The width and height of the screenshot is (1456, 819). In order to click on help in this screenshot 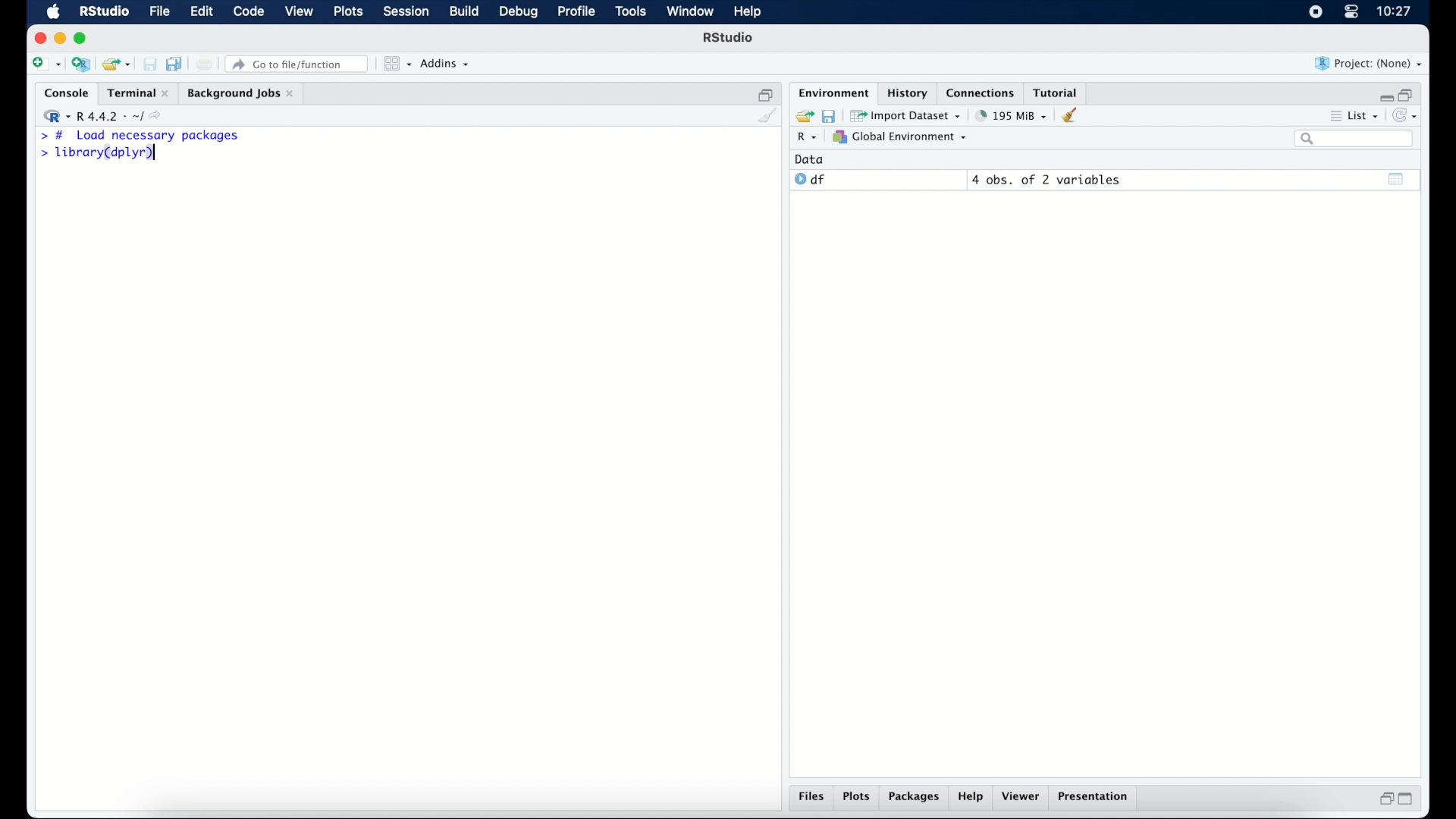, I will do `click(971, 799)`.